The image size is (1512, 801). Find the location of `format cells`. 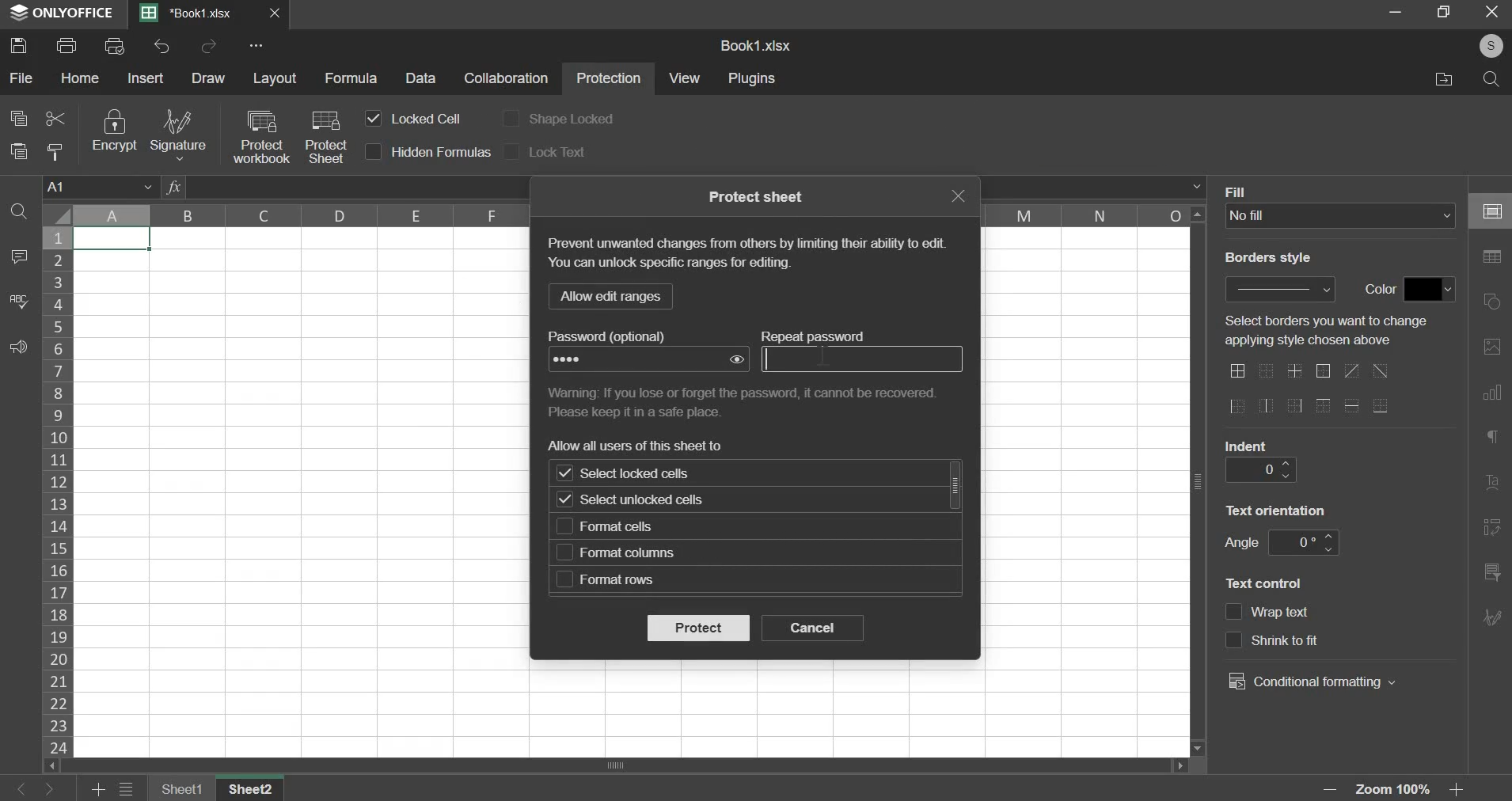

format cells is located at coordinates (623, 527).